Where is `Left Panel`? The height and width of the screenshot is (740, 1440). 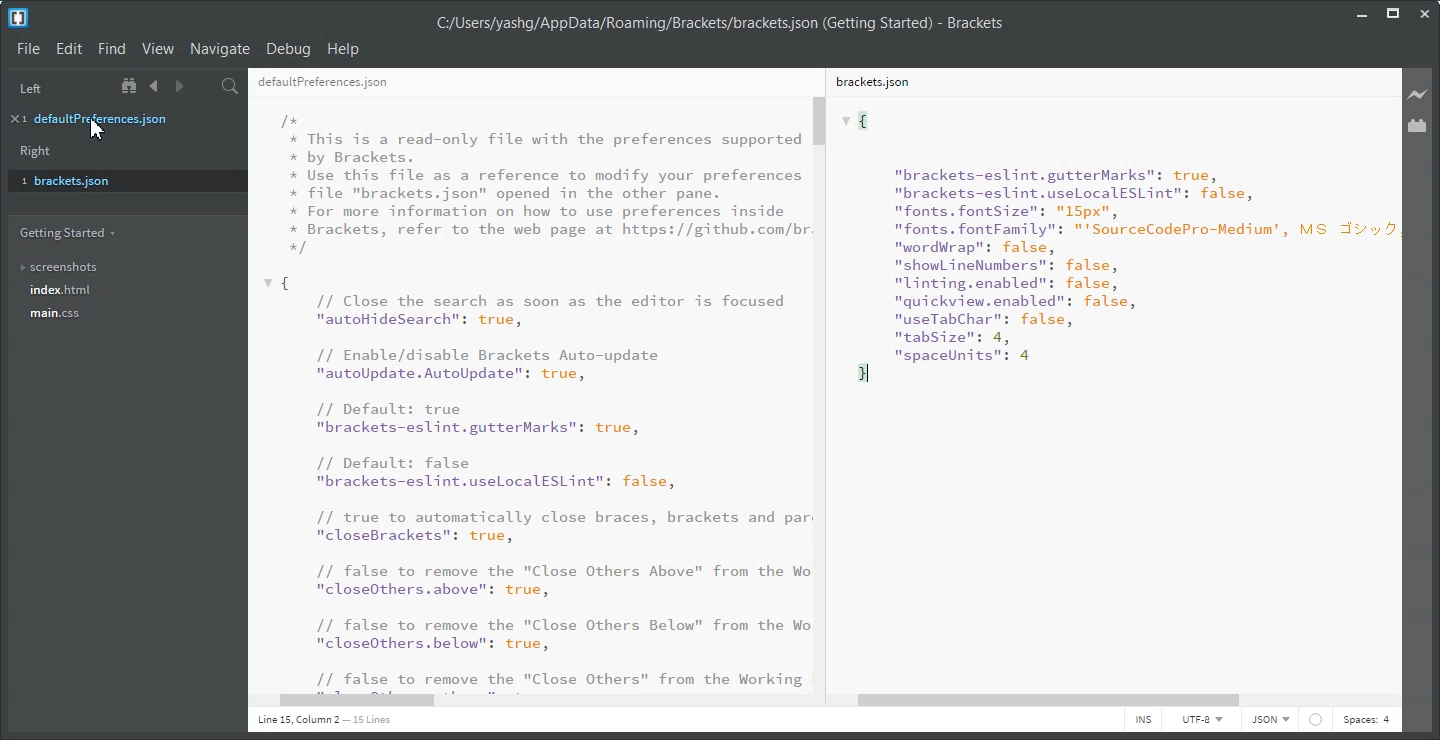 Left Panel is located at coordinates (30, 89).